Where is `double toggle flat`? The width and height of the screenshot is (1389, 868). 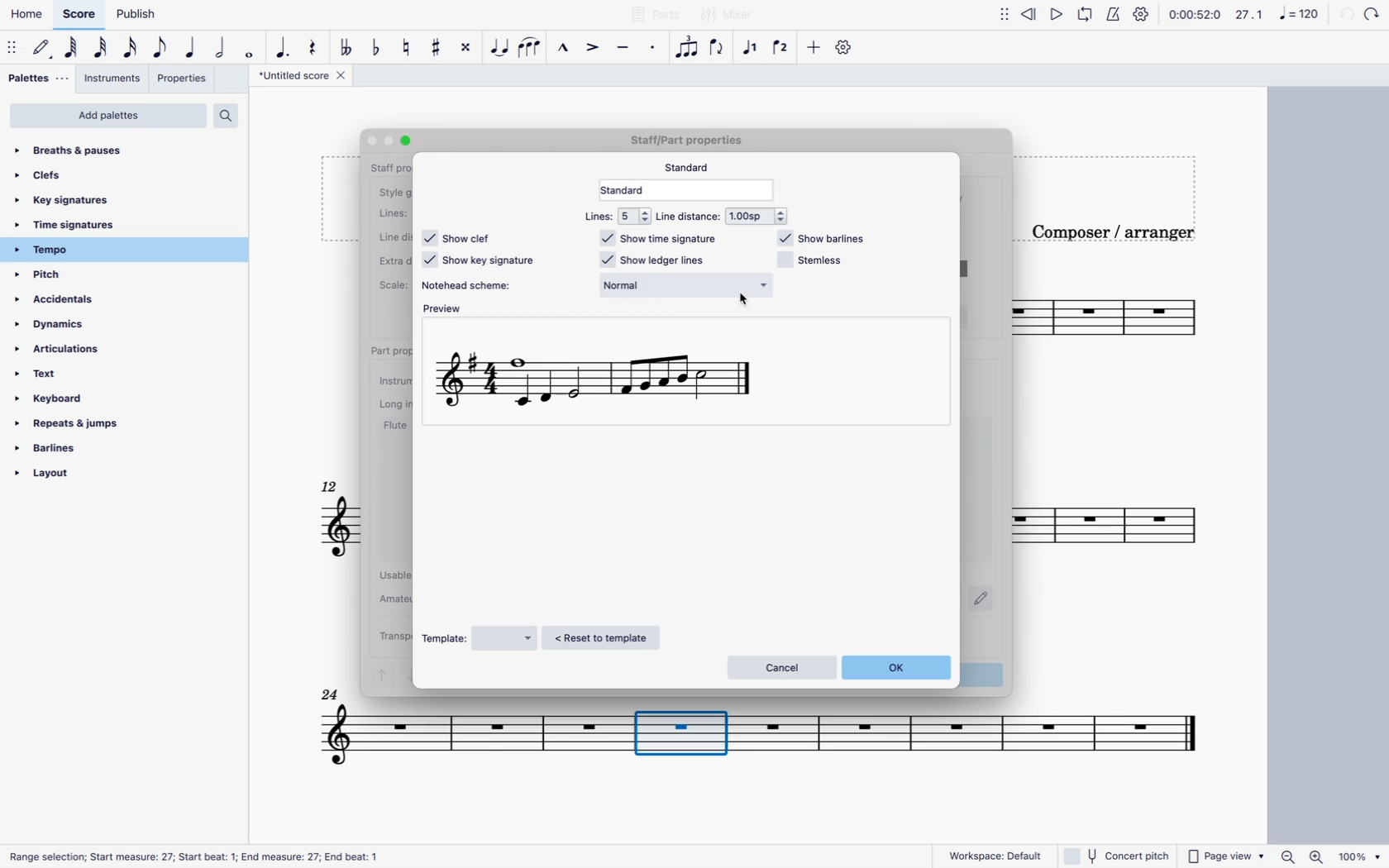
double toggle flat is located at coordinates (346, 48).